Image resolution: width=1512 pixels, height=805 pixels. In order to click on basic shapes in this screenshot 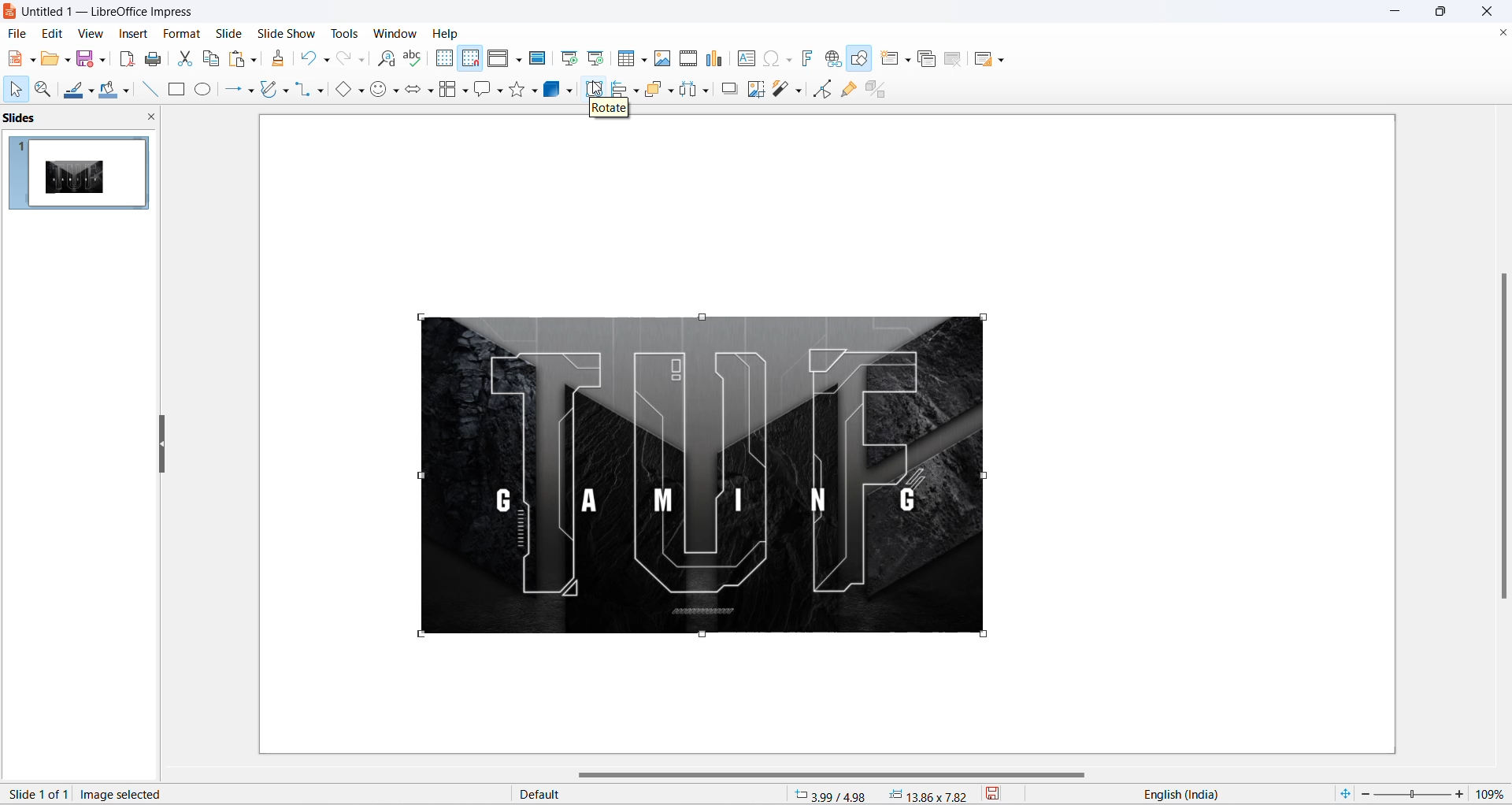, I will do `click(339, 91)`.